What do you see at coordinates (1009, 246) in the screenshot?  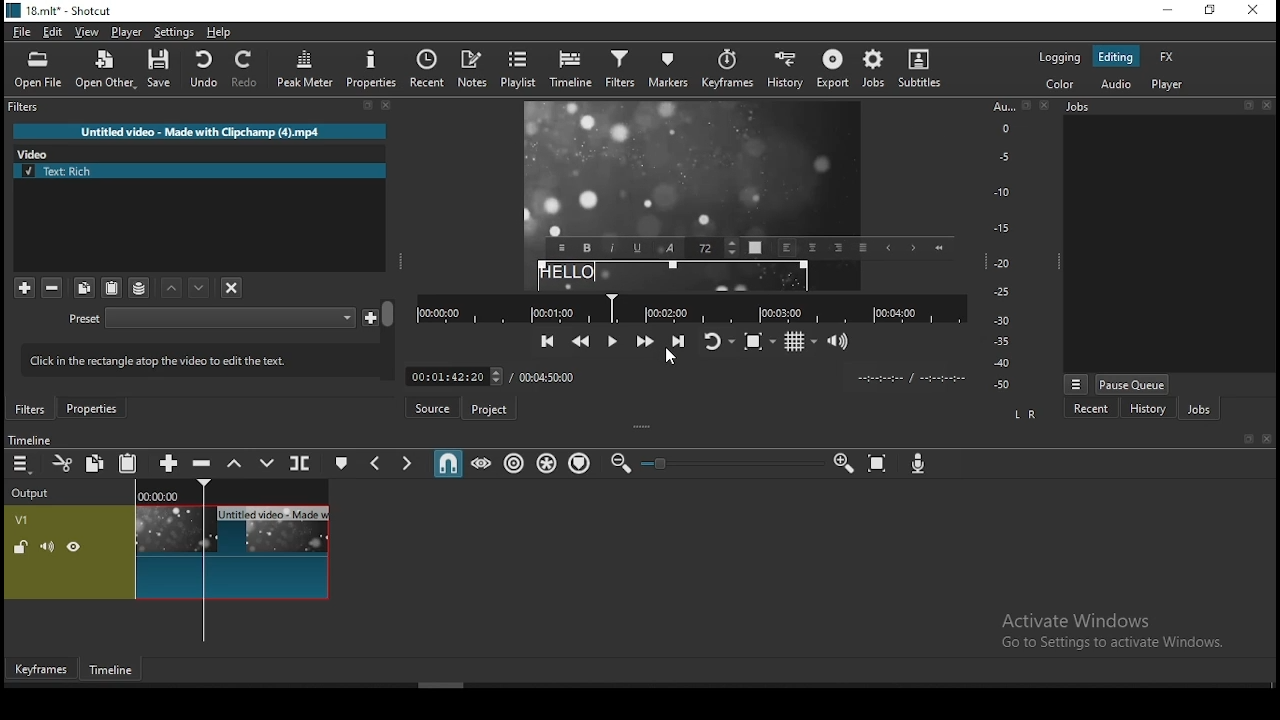 I see `Audio Level` at bounding box center [1009, 246].